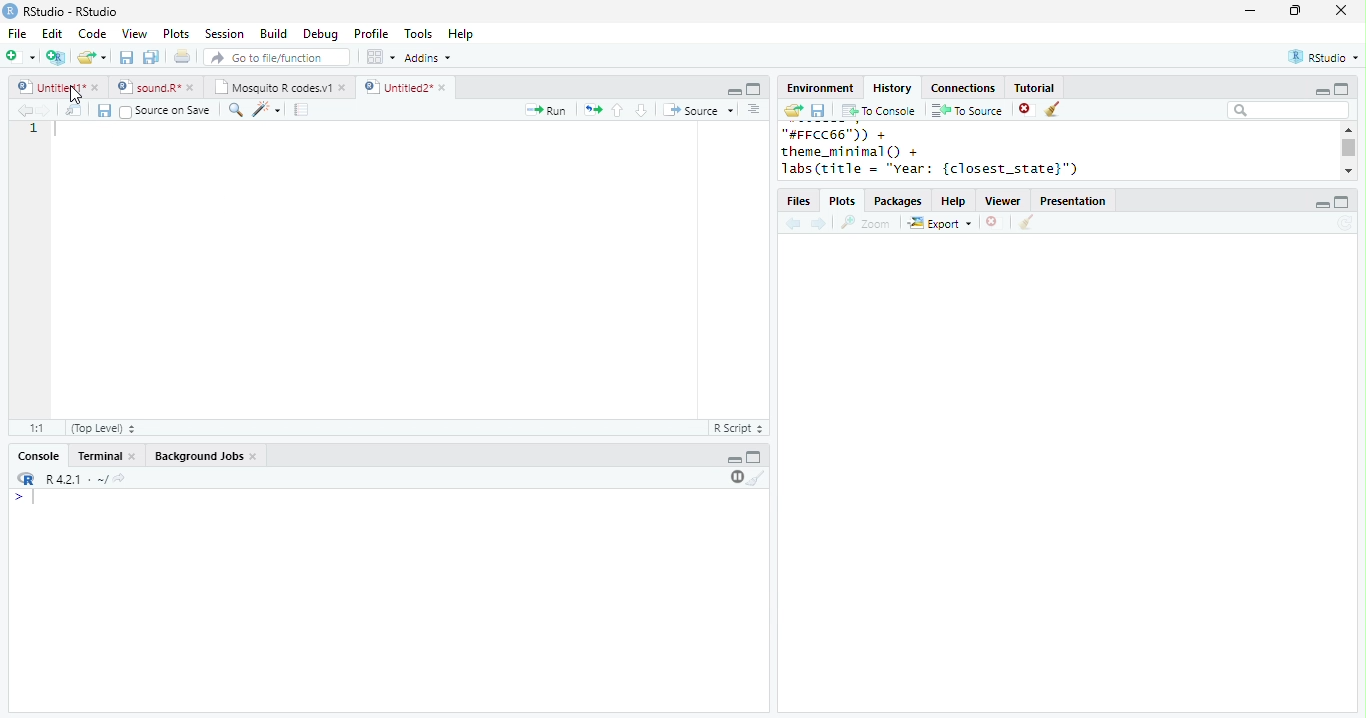 This screenshot has width=1366, height=718. I want to click on forward, so click(44, 111).